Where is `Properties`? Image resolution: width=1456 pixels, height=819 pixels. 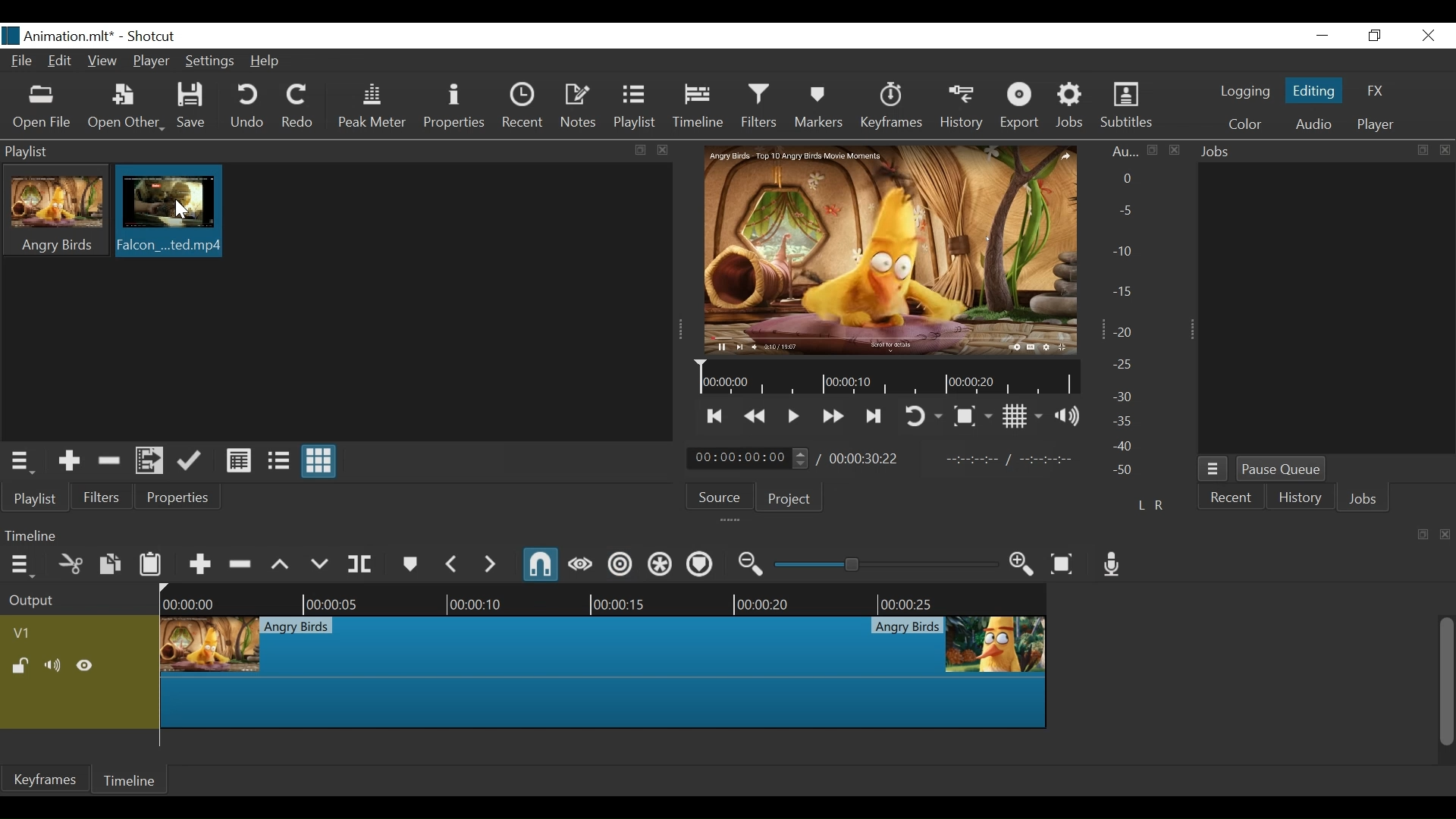 Properties is located at coordinates (179, 497).